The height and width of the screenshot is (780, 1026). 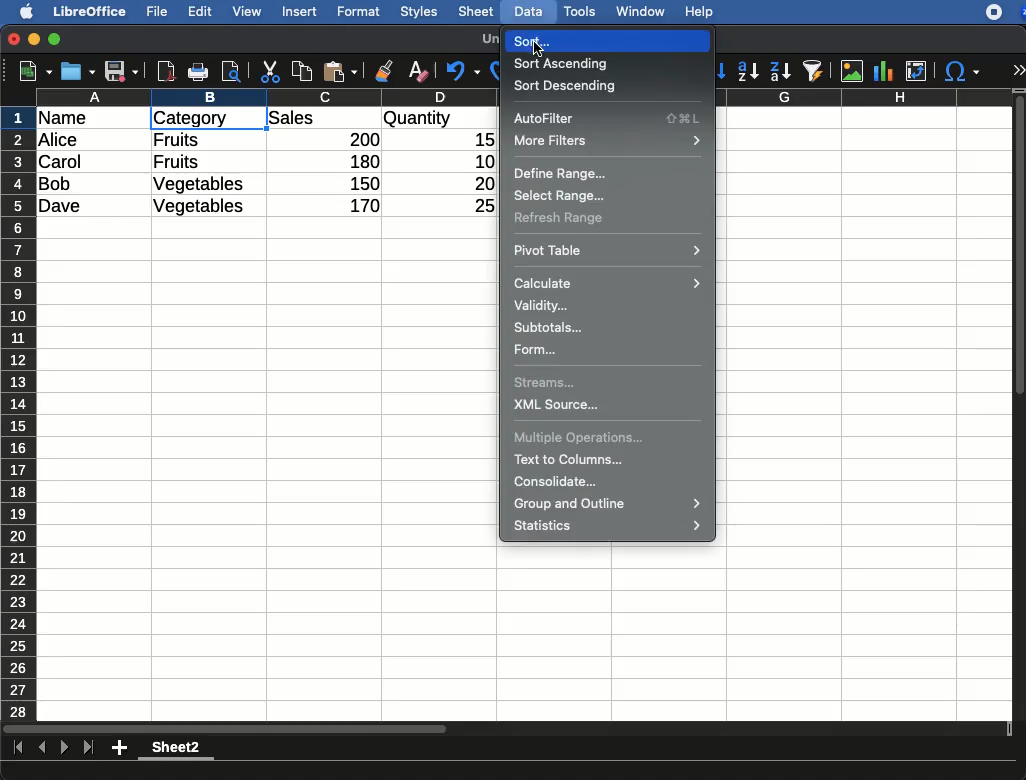 I want to click on xml source, so click(x=559, y=407).